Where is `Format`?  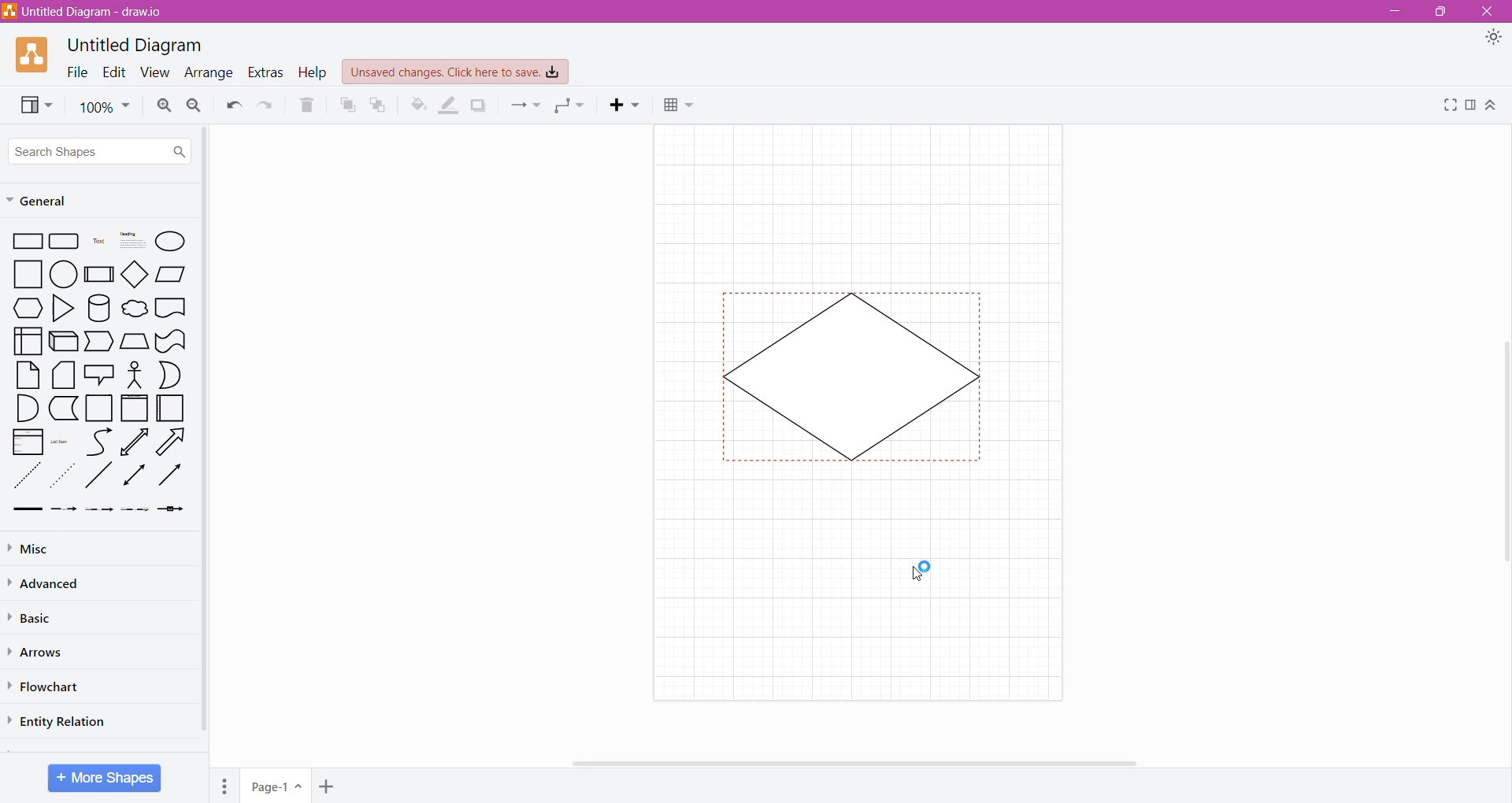
Format is located at coordinates (1471, 106).